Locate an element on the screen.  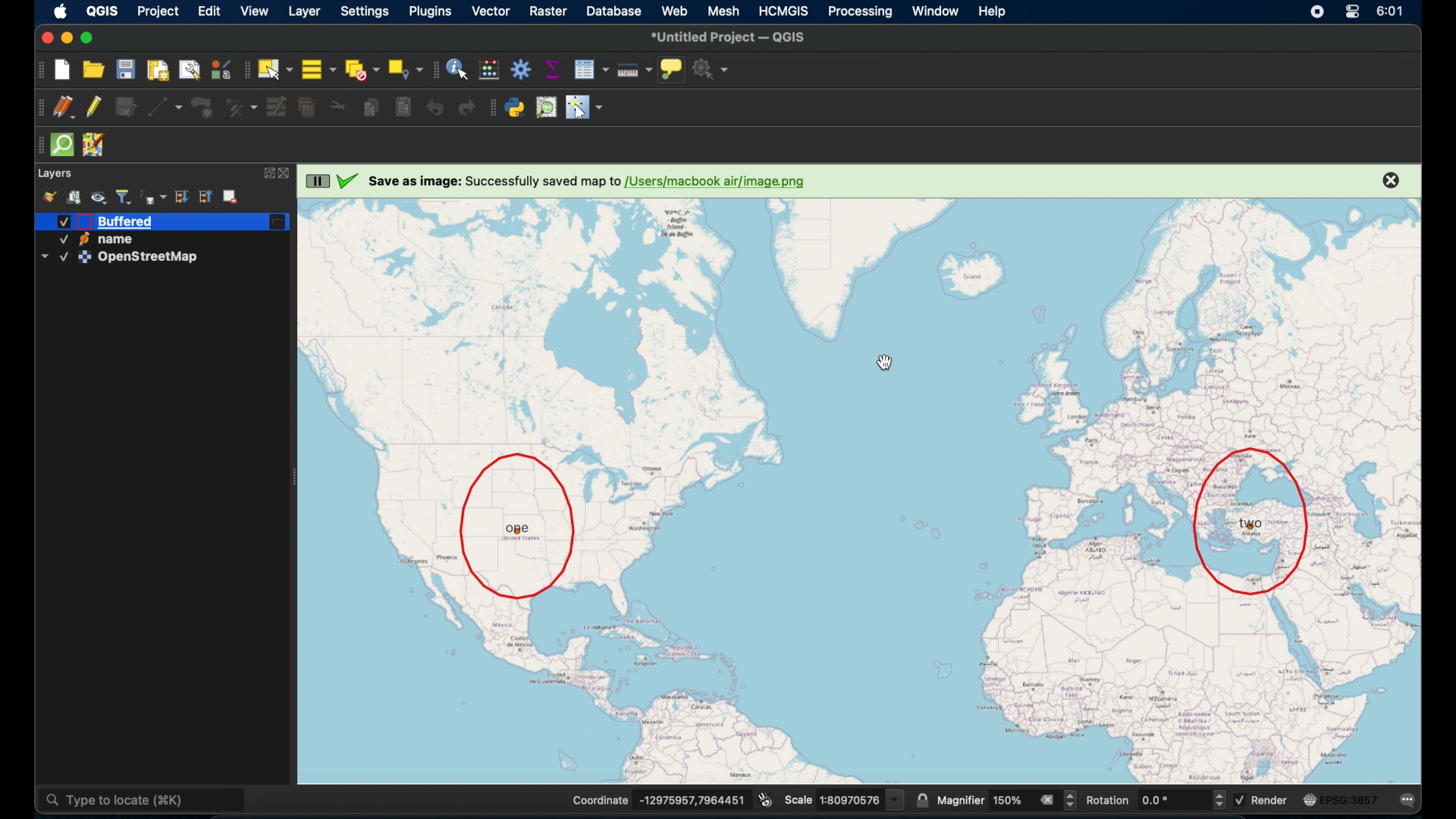
maximize is located at coordinates (89, 38).